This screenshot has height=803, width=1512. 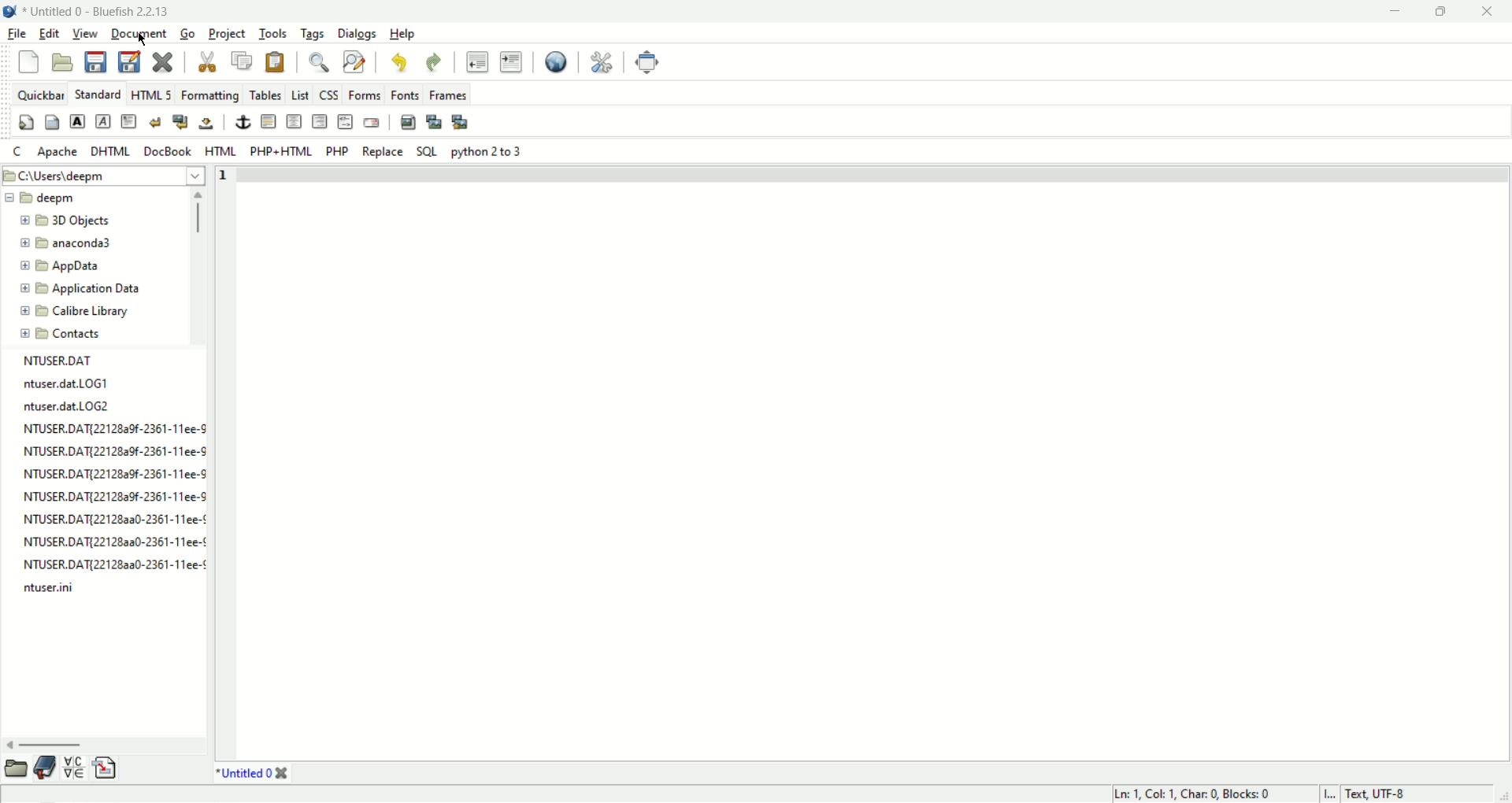 I want to click on email, so click(x=372, y=124).